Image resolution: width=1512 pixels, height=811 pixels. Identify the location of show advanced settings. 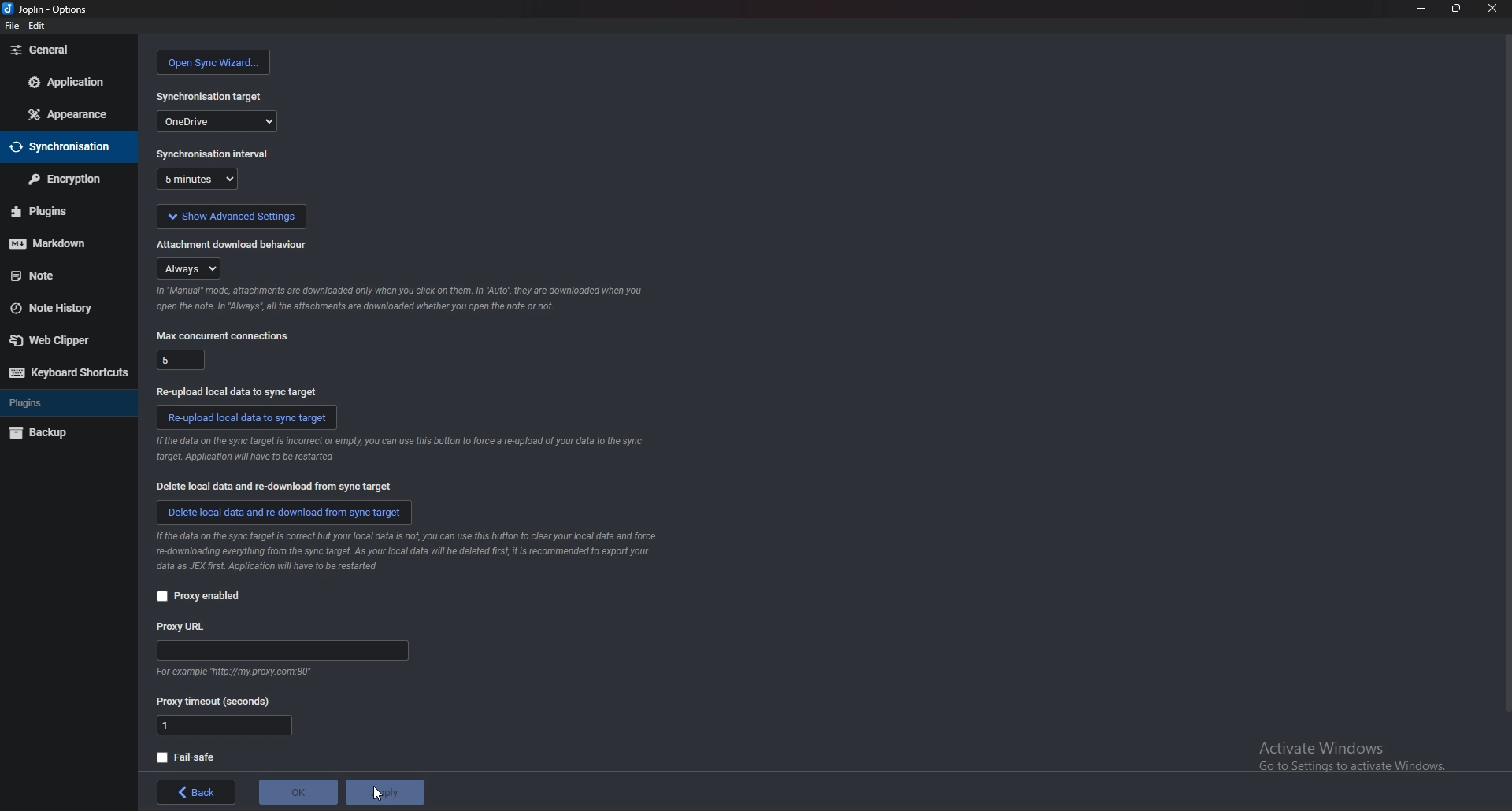
(231, 217).